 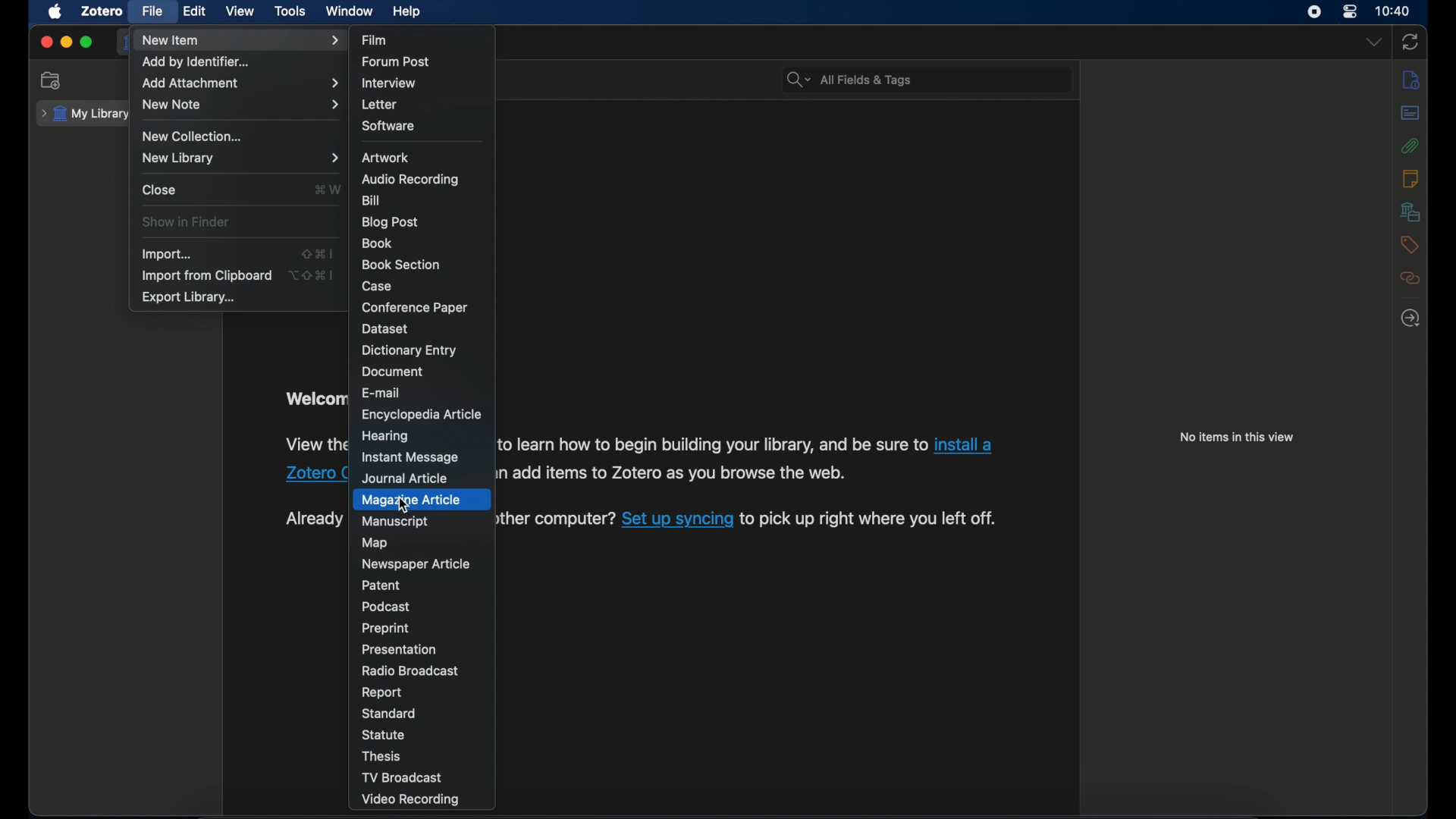 I want to click on thesis, so click(x=383, y=757).